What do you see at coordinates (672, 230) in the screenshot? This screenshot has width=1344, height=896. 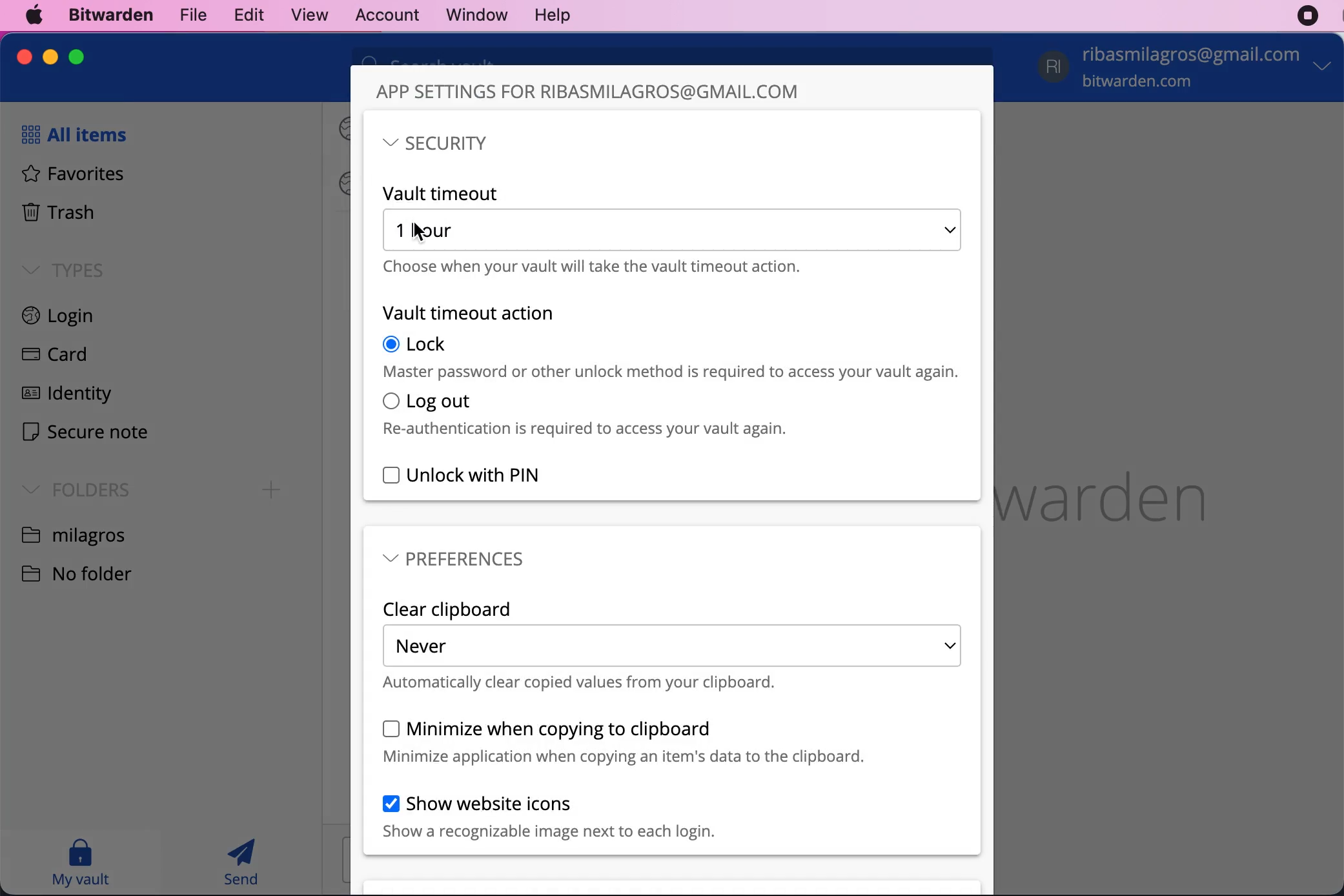 I see `1 hour` at bounding box center [672, 230].